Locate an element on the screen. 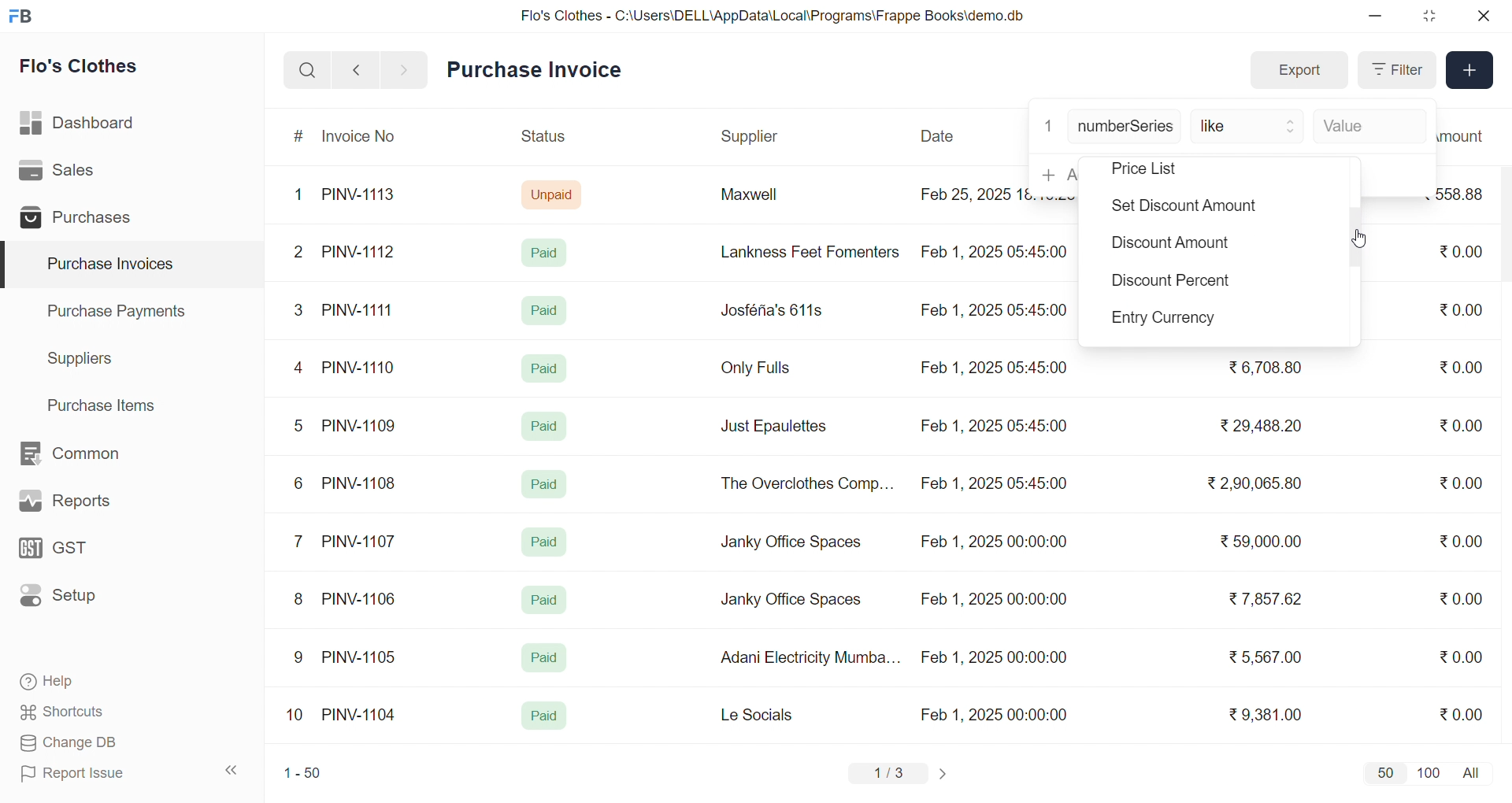 The height and width of the screenshot is (803, 1512). Paid is located at coordinates (548, 252).